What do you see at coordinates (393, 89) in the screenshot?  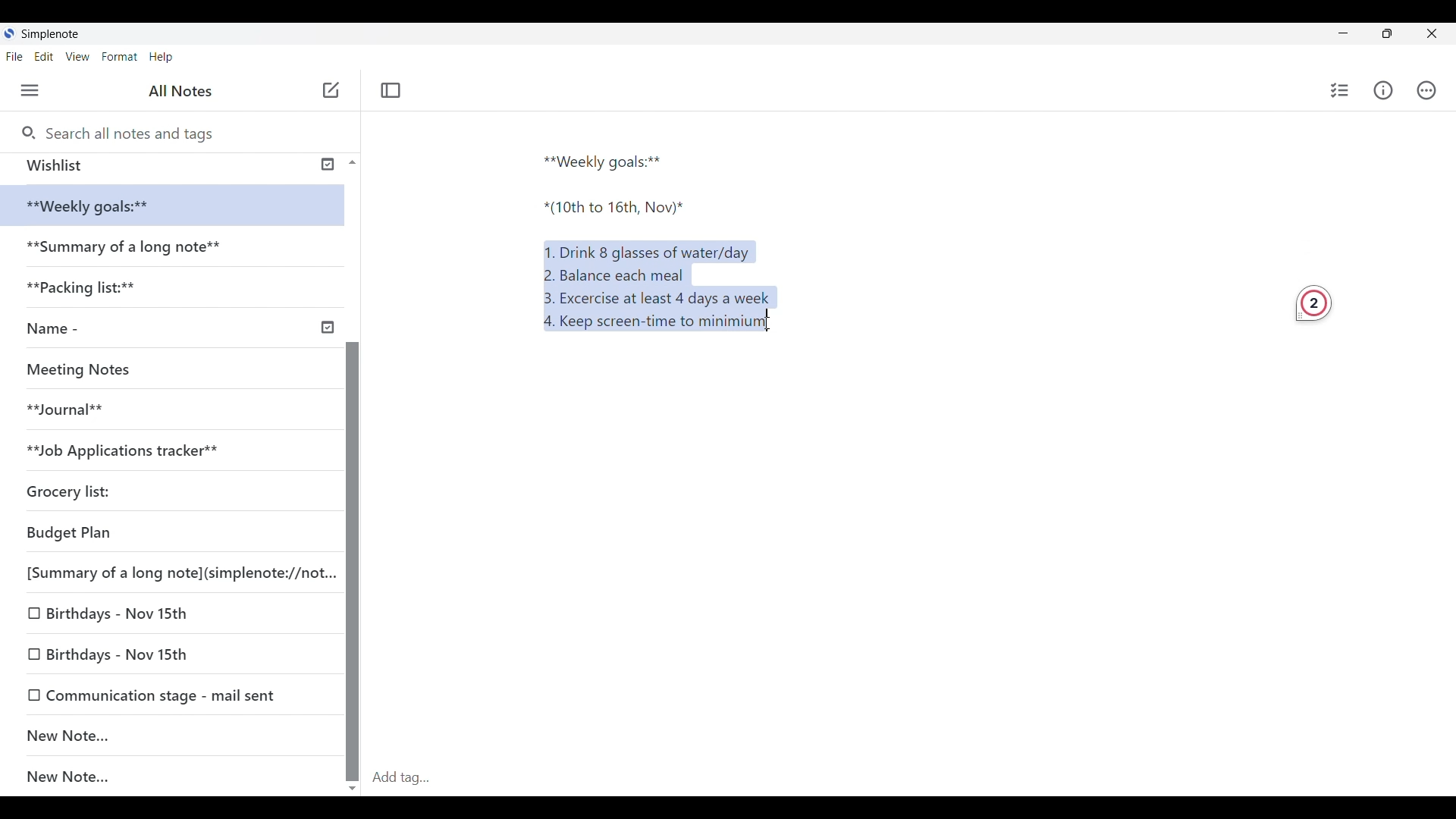 I see `Toggle focus mode` at bounding box center [393, 89].